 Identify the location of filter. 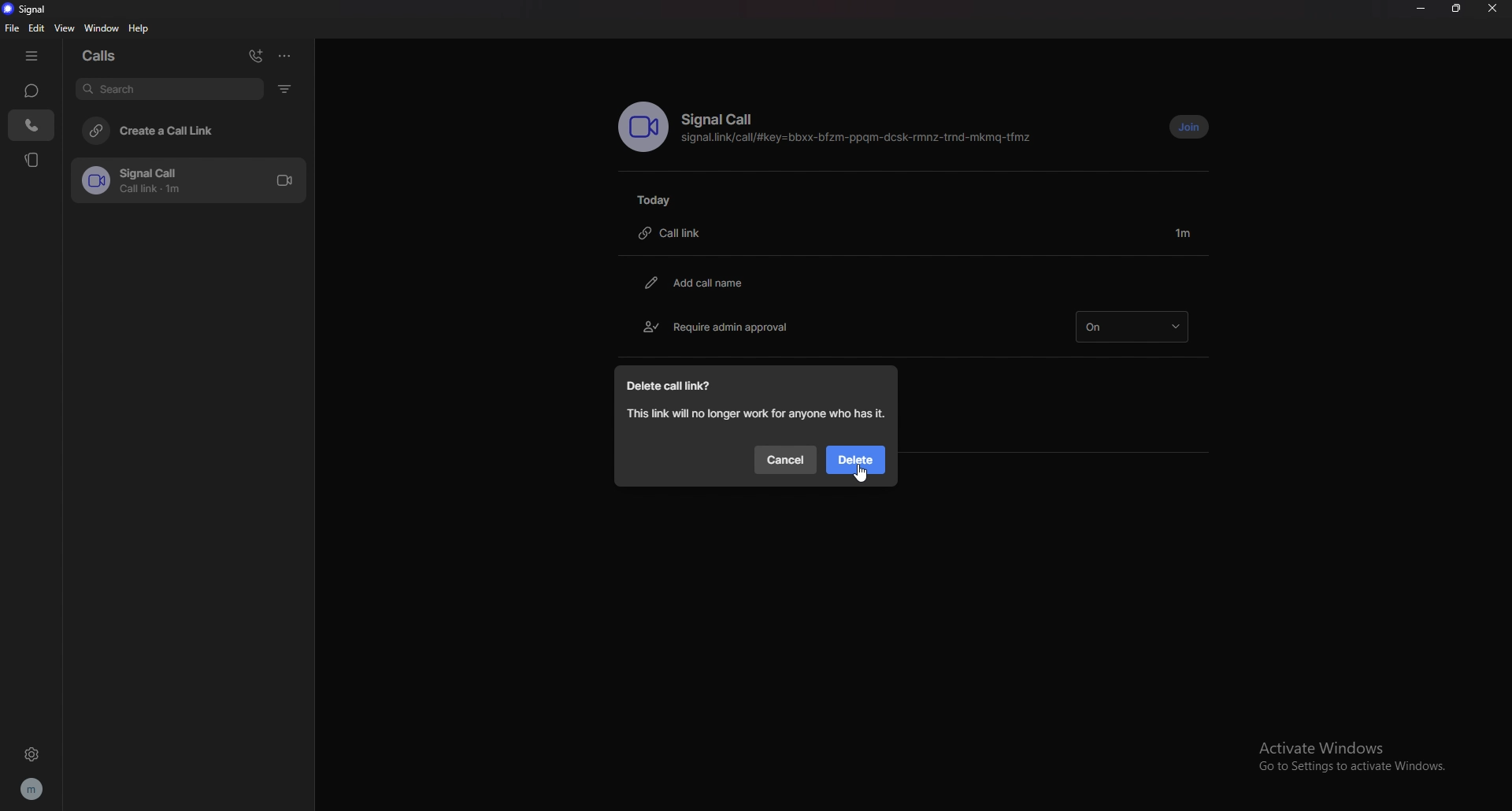
(288, 88).